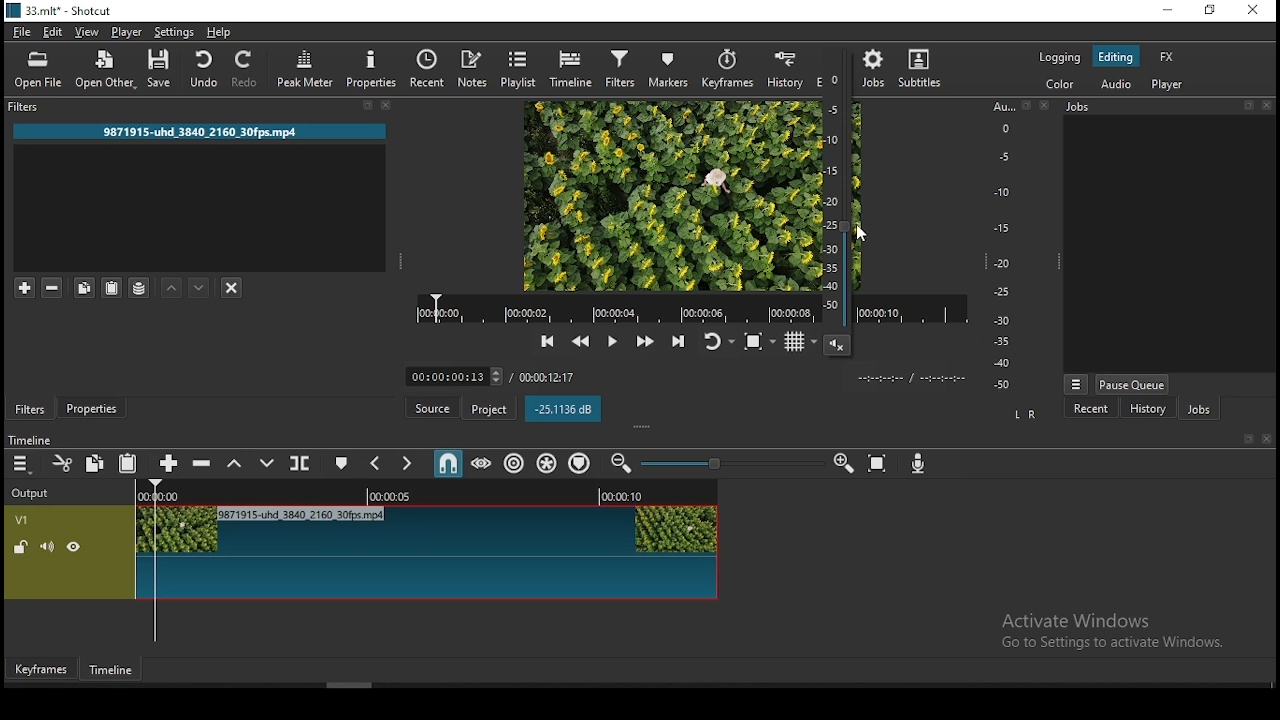  I want to click on markers, so click(667, 68).